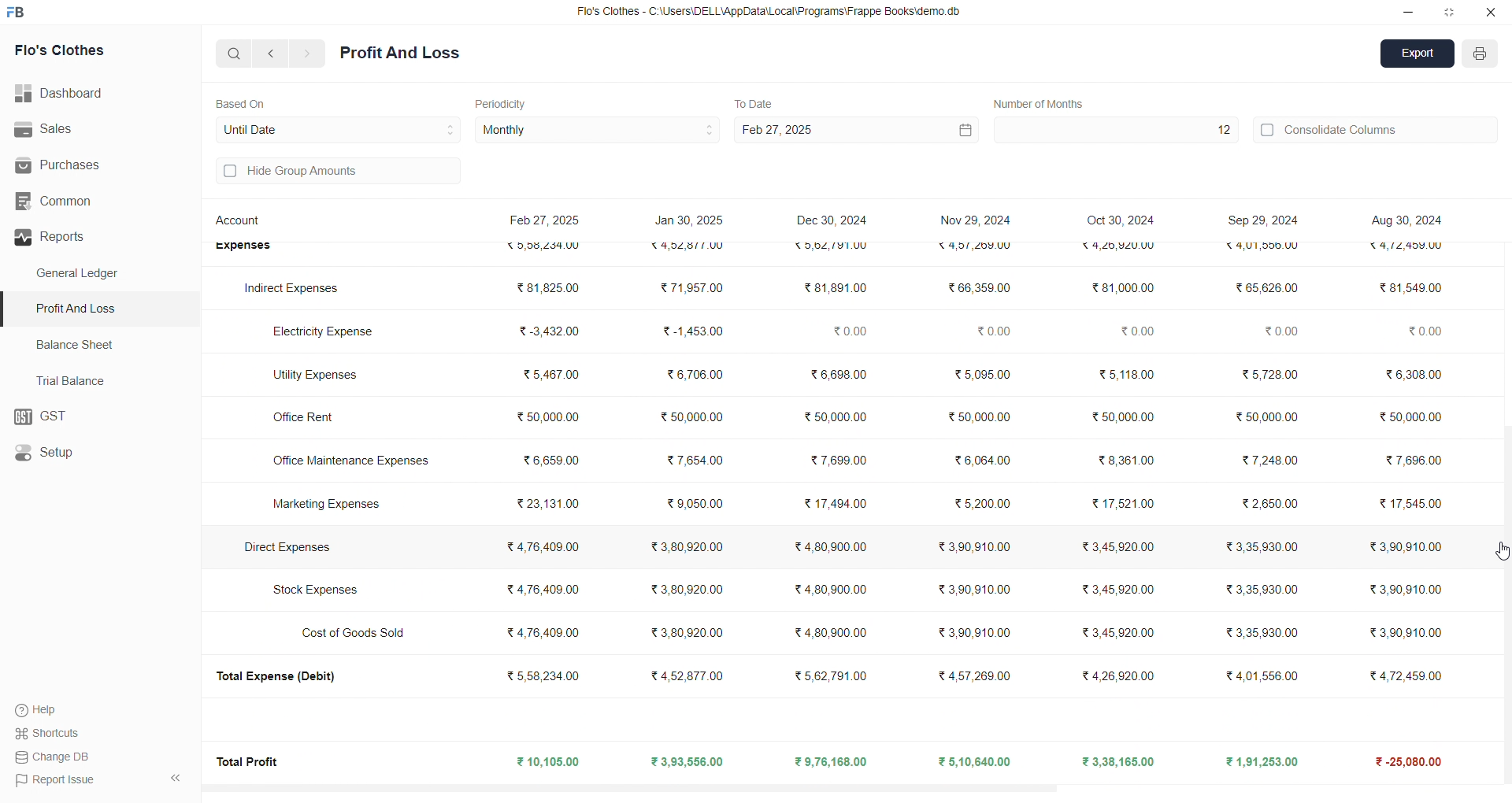 The image size is (1512, 803). I want to click on ₹23,131.00, so click(548, 503).